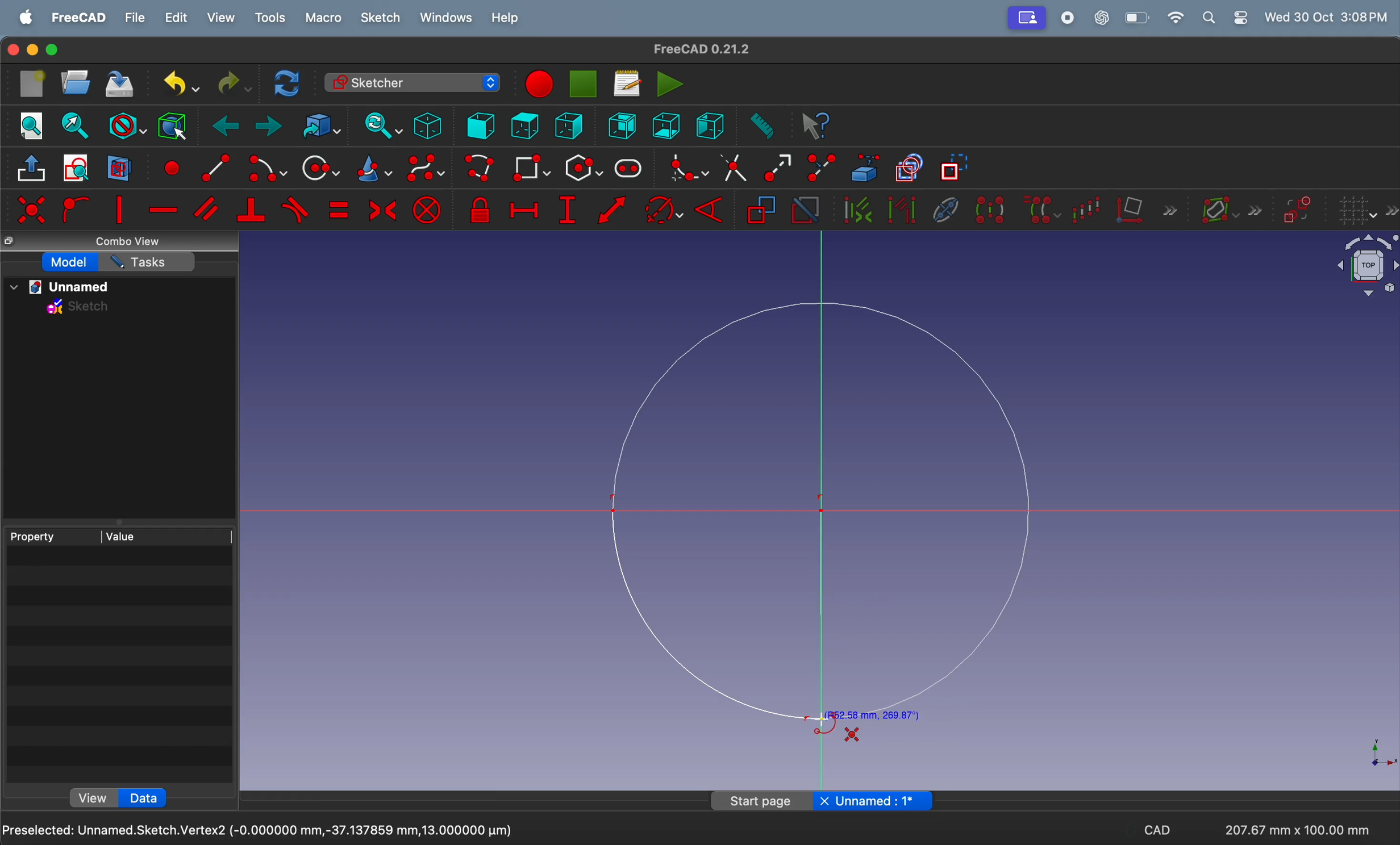 The width and height of the screenshot is (1400, 845). What do you see at coordinates (74, 126) in the screenshot?
I see `fit section` at bounding box center [74, 126].